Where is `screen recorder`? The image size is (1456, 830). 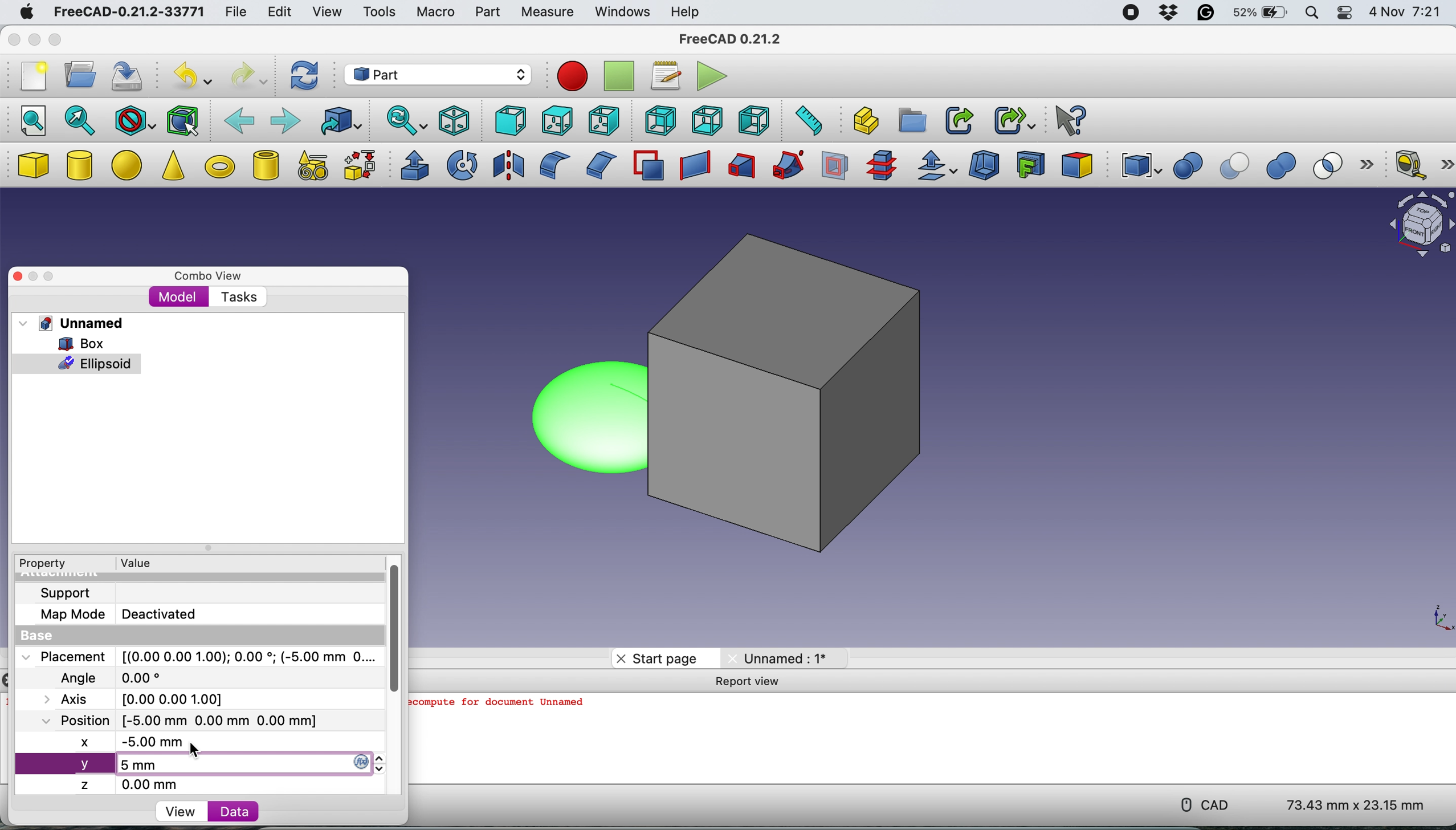 screen recorder is located at coordinates (1130, 14).